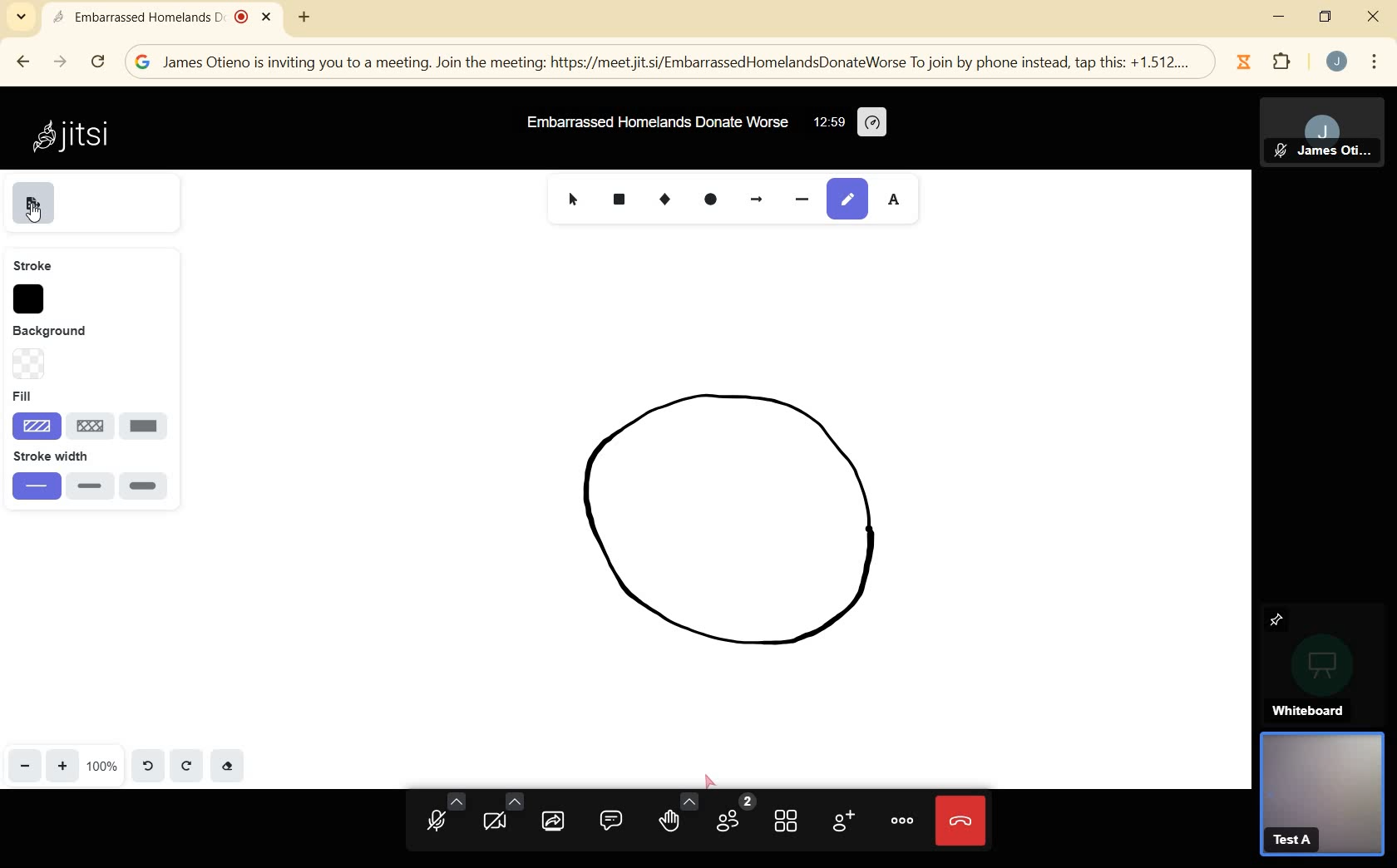 This screenshot has width=1397, height=868. I want to click on square, so click(619, 196).